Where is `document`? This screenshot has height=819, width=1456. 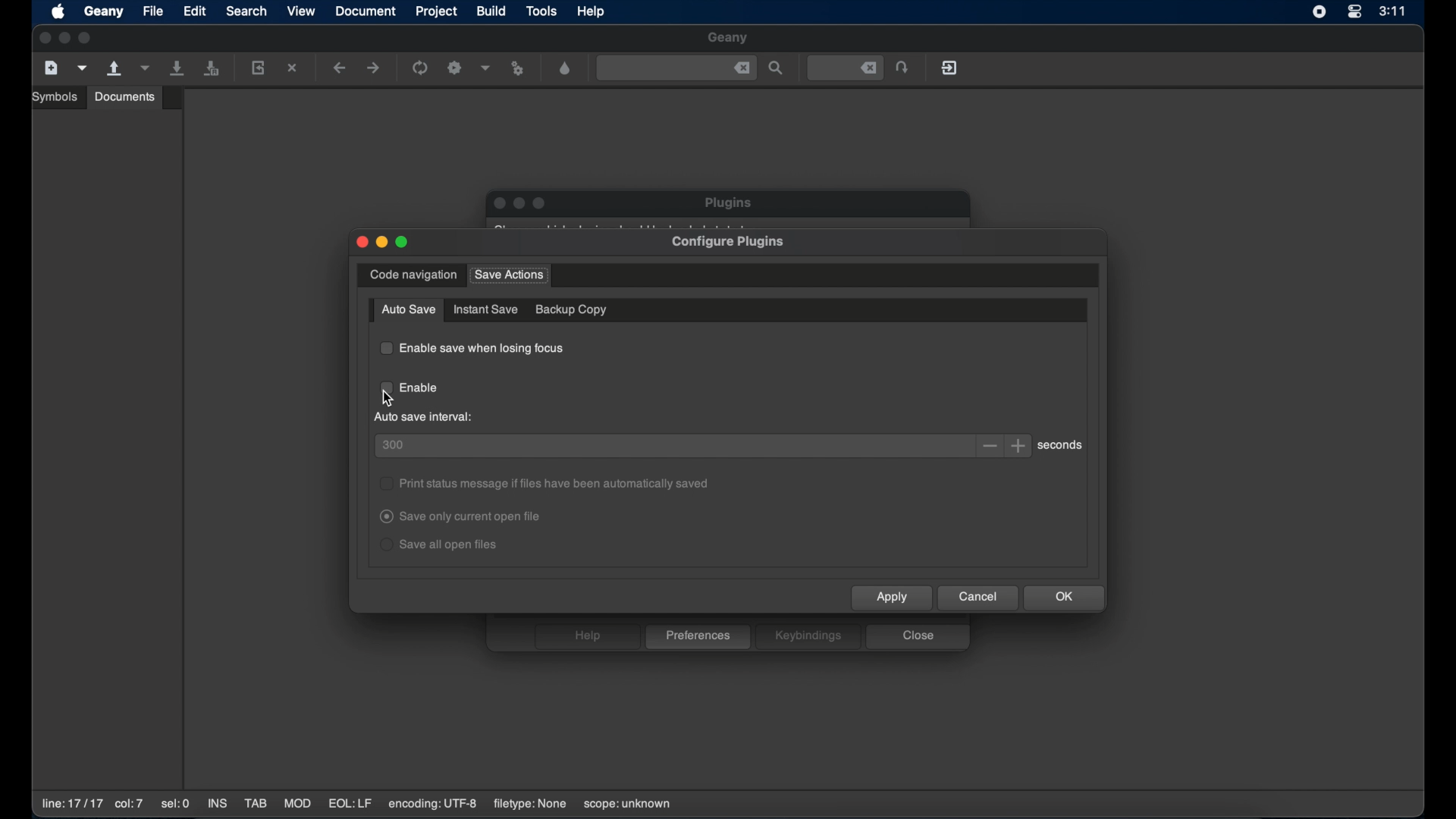
document is located at coordinates (366, 11).